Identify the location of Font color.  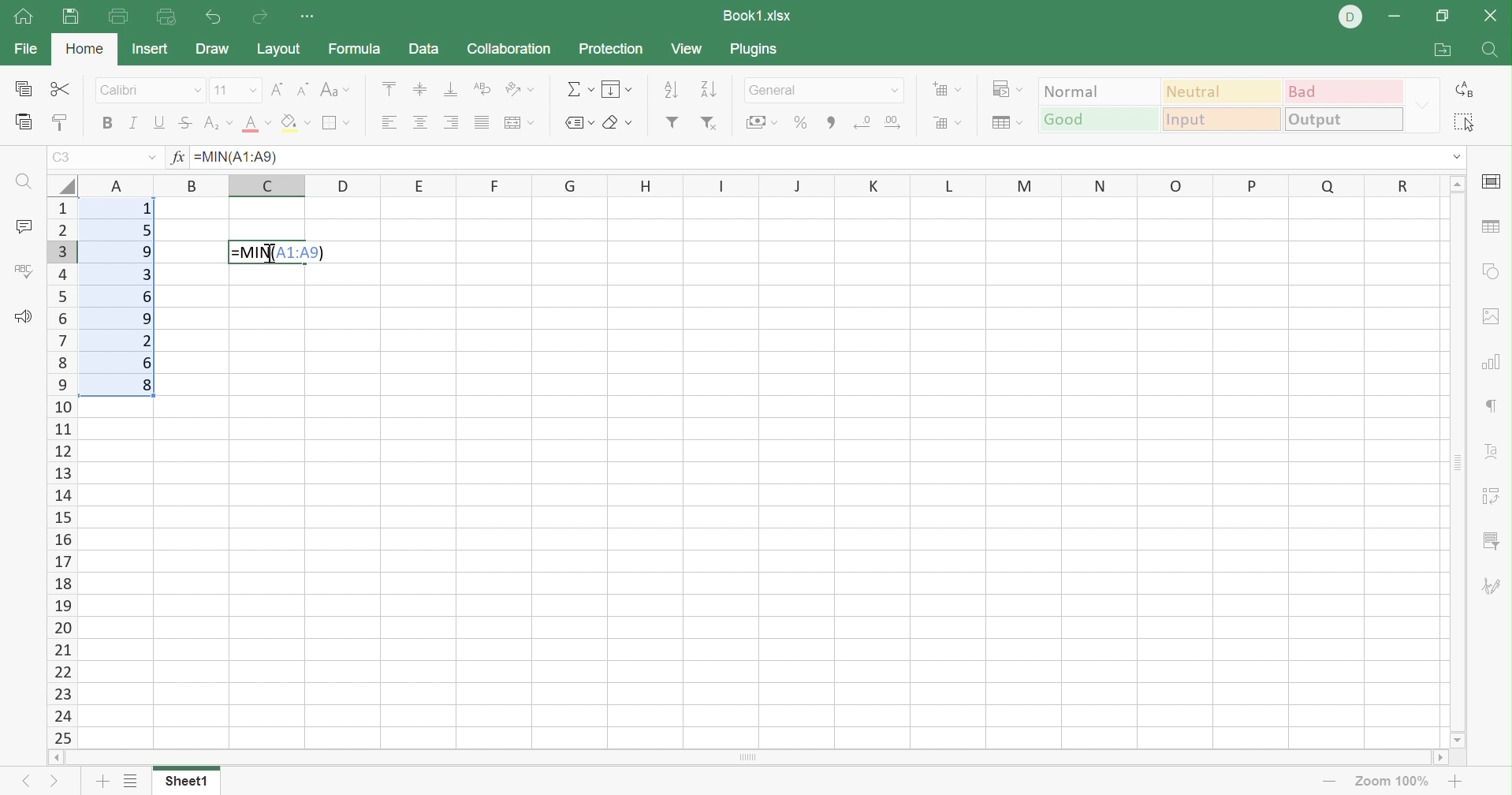
(258, 127).